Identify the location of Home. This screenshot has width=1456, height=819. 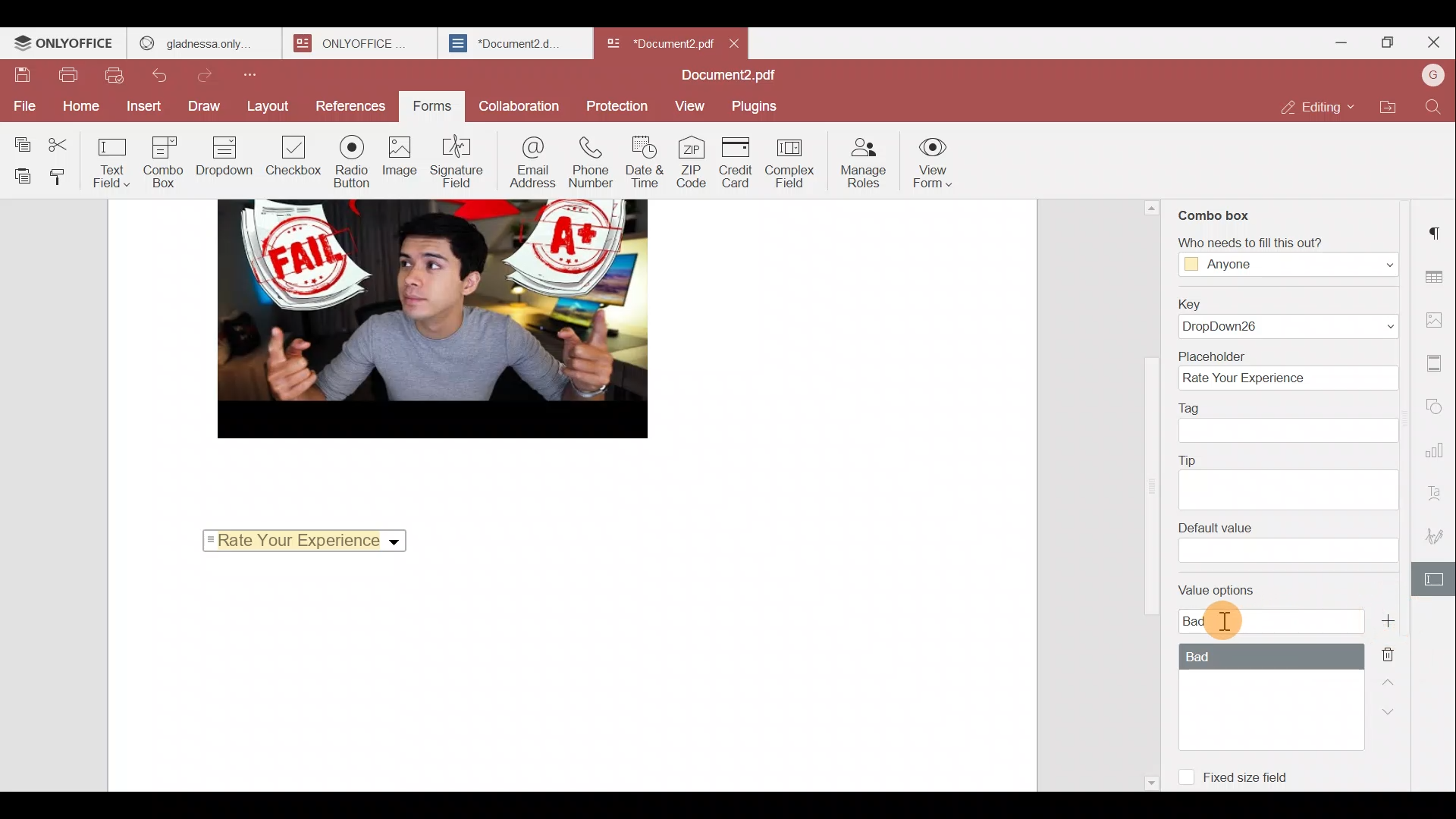
(77, 108).